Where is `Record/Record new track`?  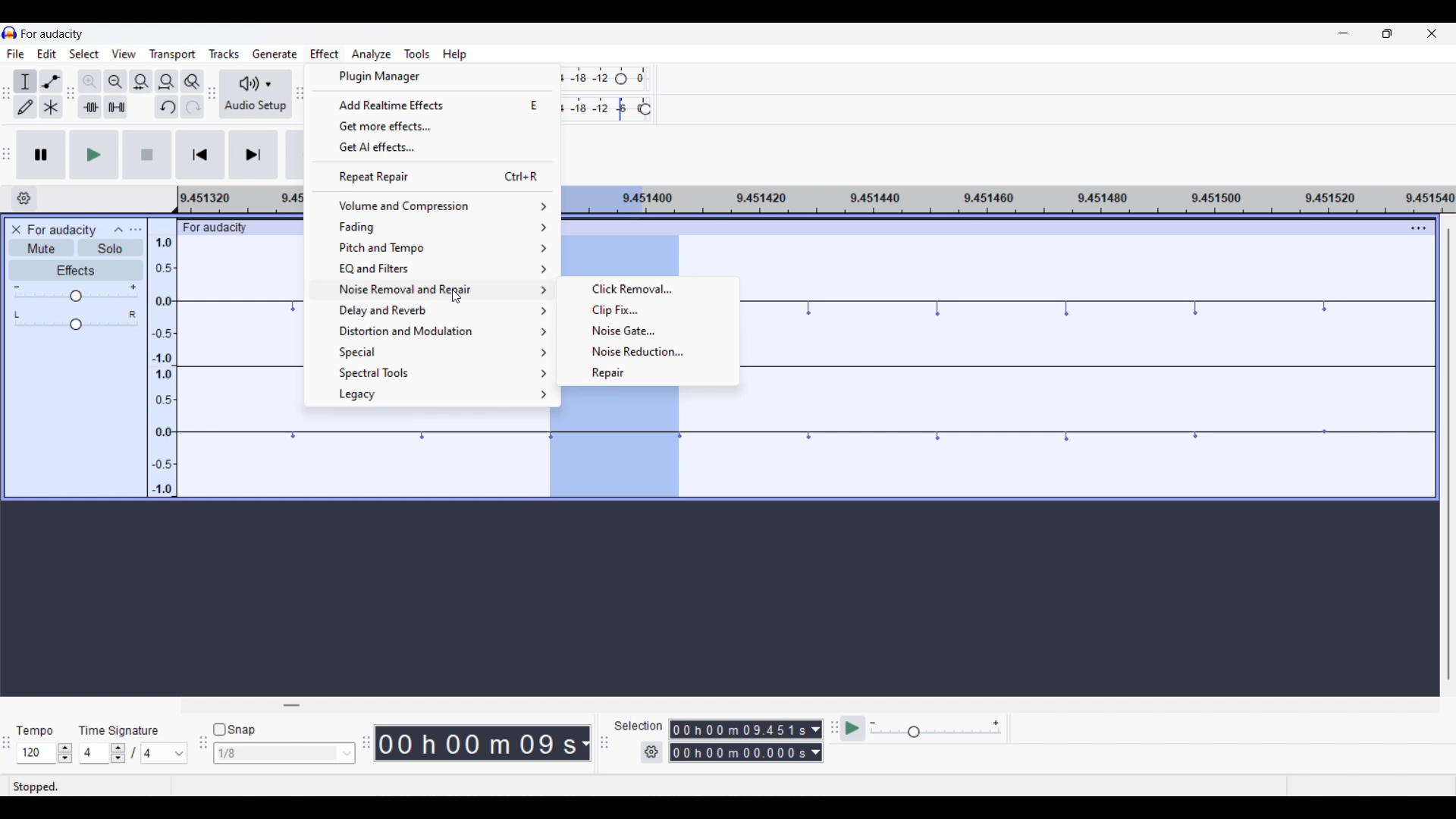 Record/Record new track is located at coordinates (296, 155).